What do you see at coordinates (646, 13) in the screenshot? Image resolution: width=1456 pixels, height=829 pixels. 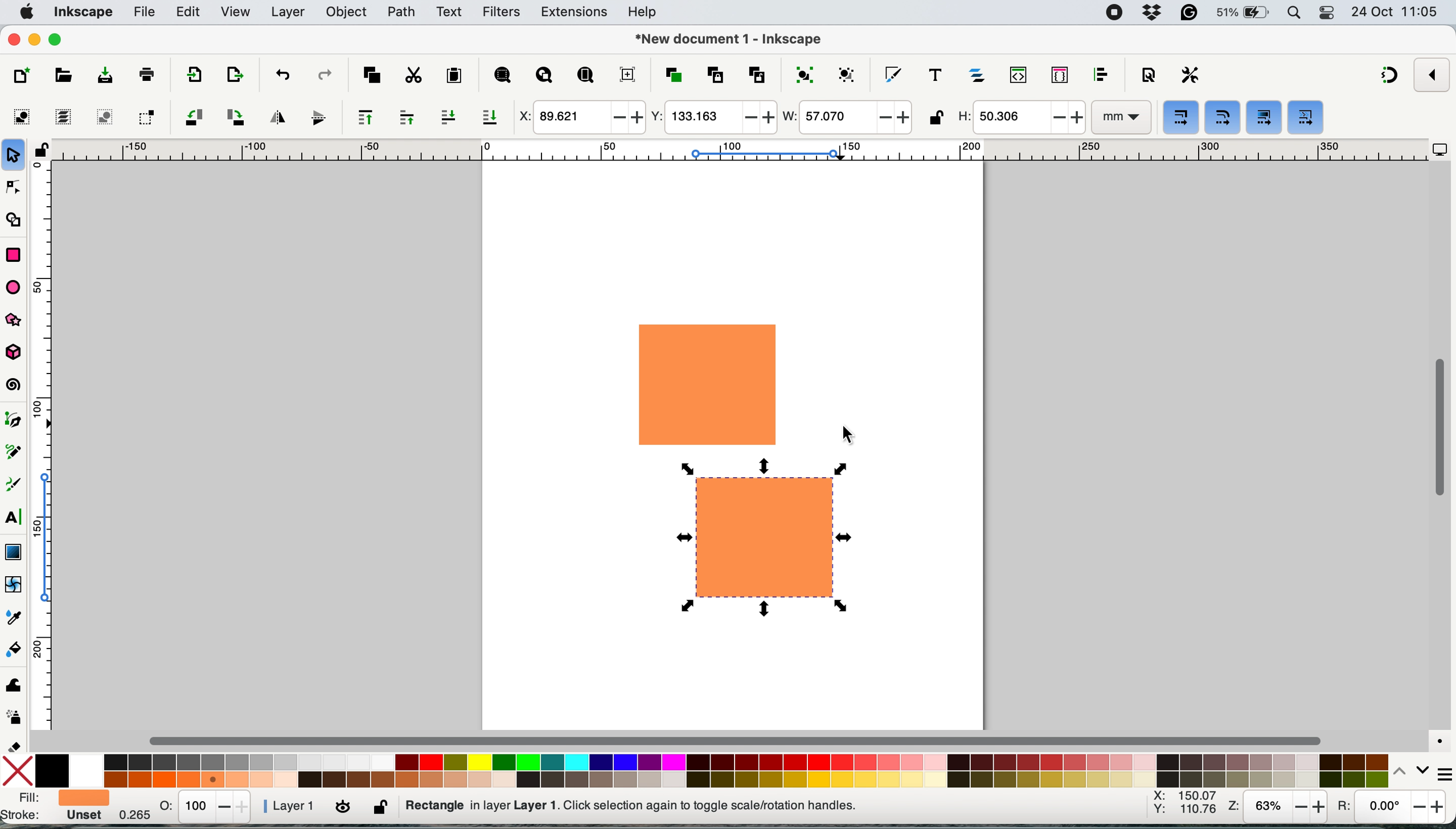 I see `help` at bounding box center [646, 13].